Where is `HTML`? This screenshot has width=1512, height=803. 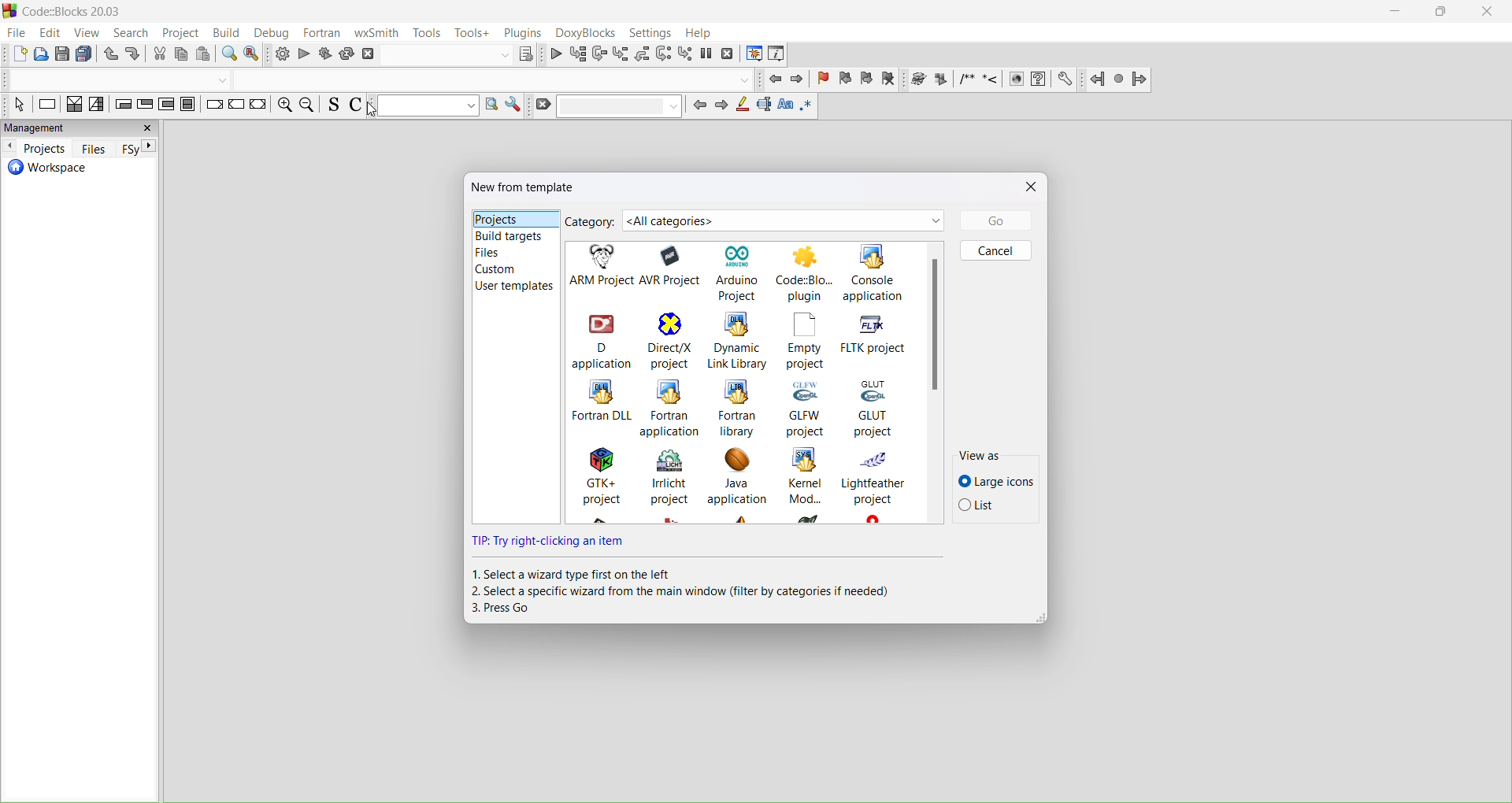 HTML is located at coordinates (1015, 77).